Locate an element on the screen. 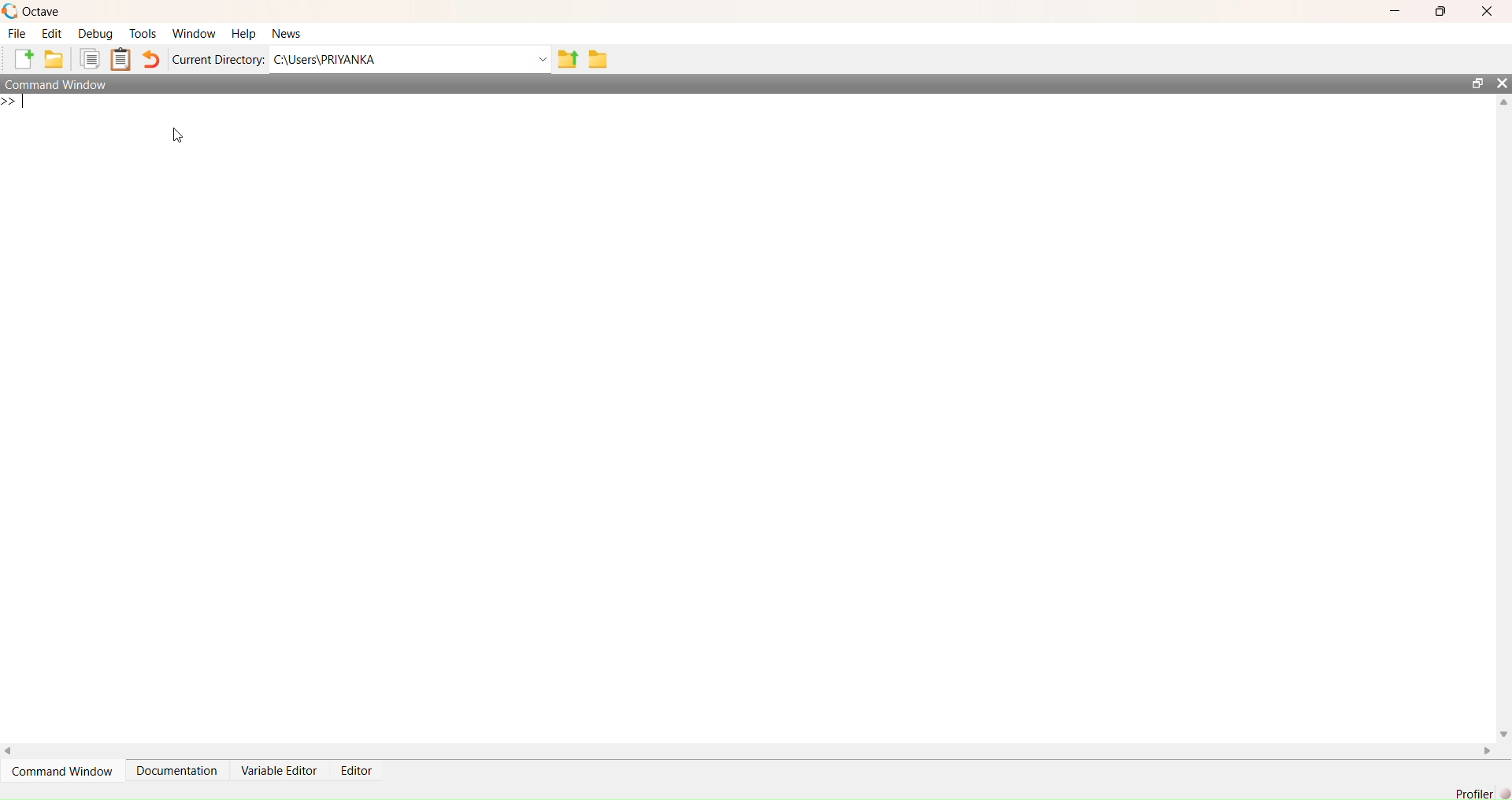 The image size is (1512, 800). Debug is located at coordinates (98, 34).